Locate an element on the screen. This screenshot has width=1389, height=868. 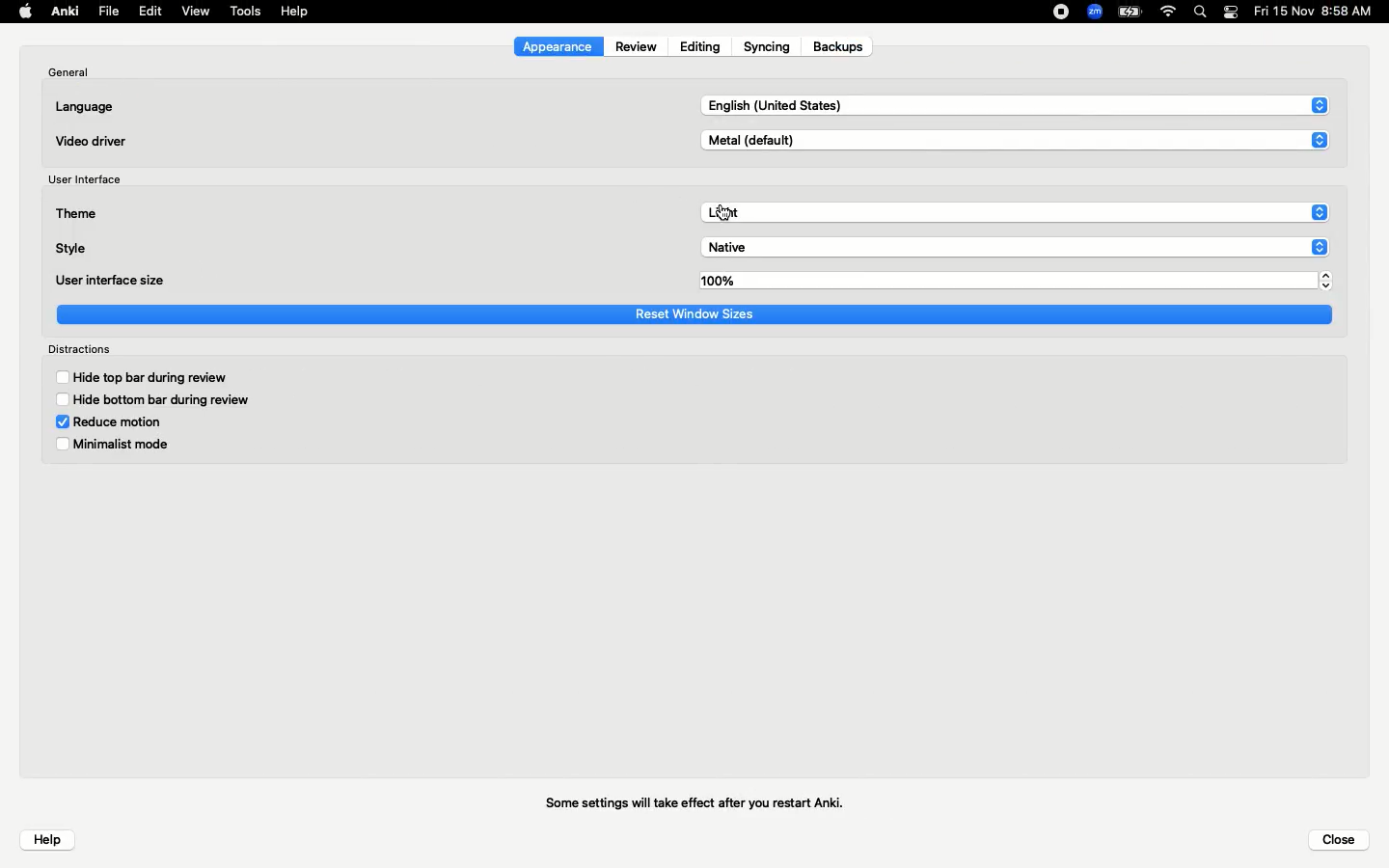
Review is located at coordinates (640, 46).